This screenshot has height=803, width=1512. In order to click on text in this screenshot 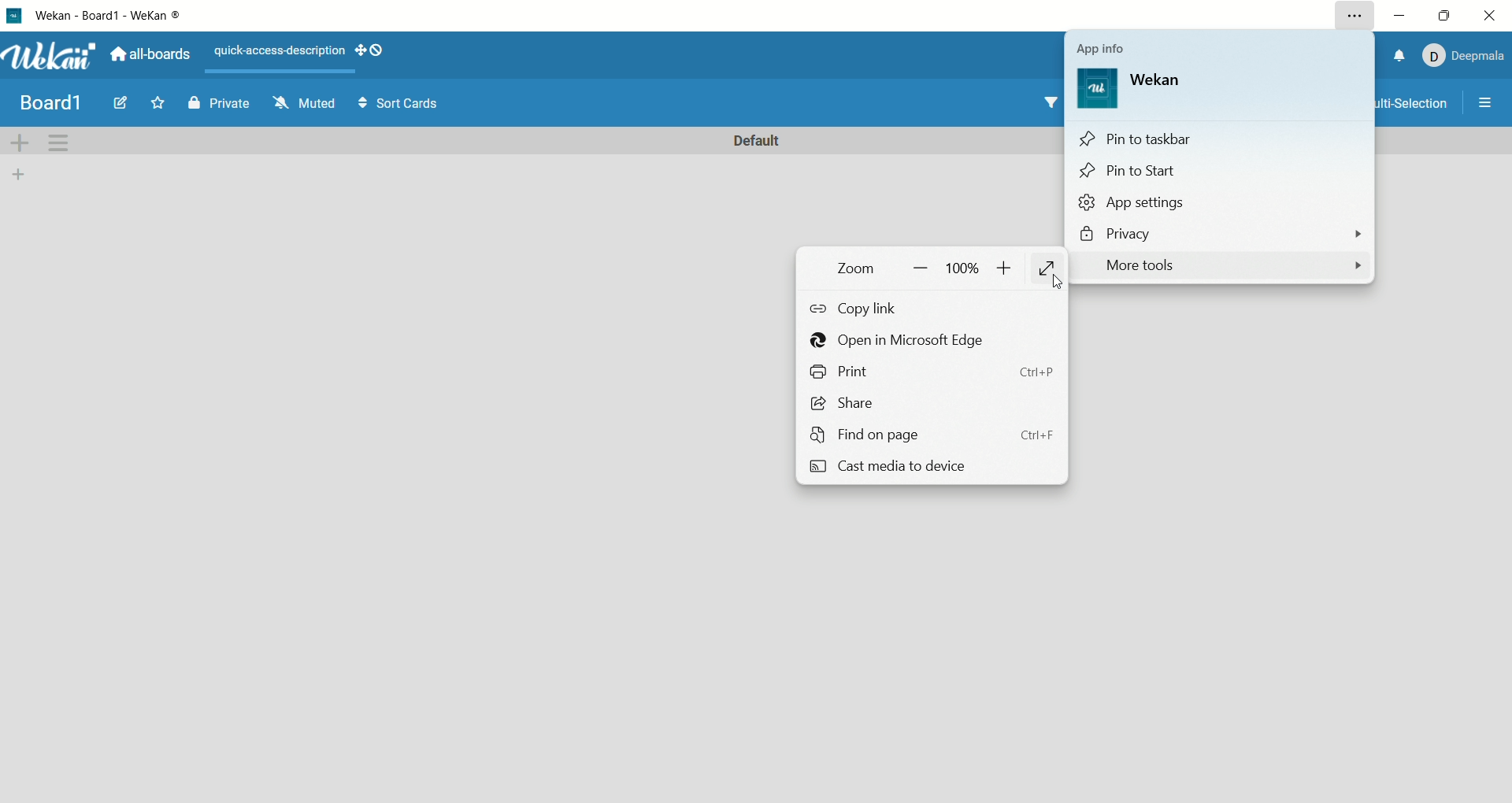, I will do `click(278, 49)`.